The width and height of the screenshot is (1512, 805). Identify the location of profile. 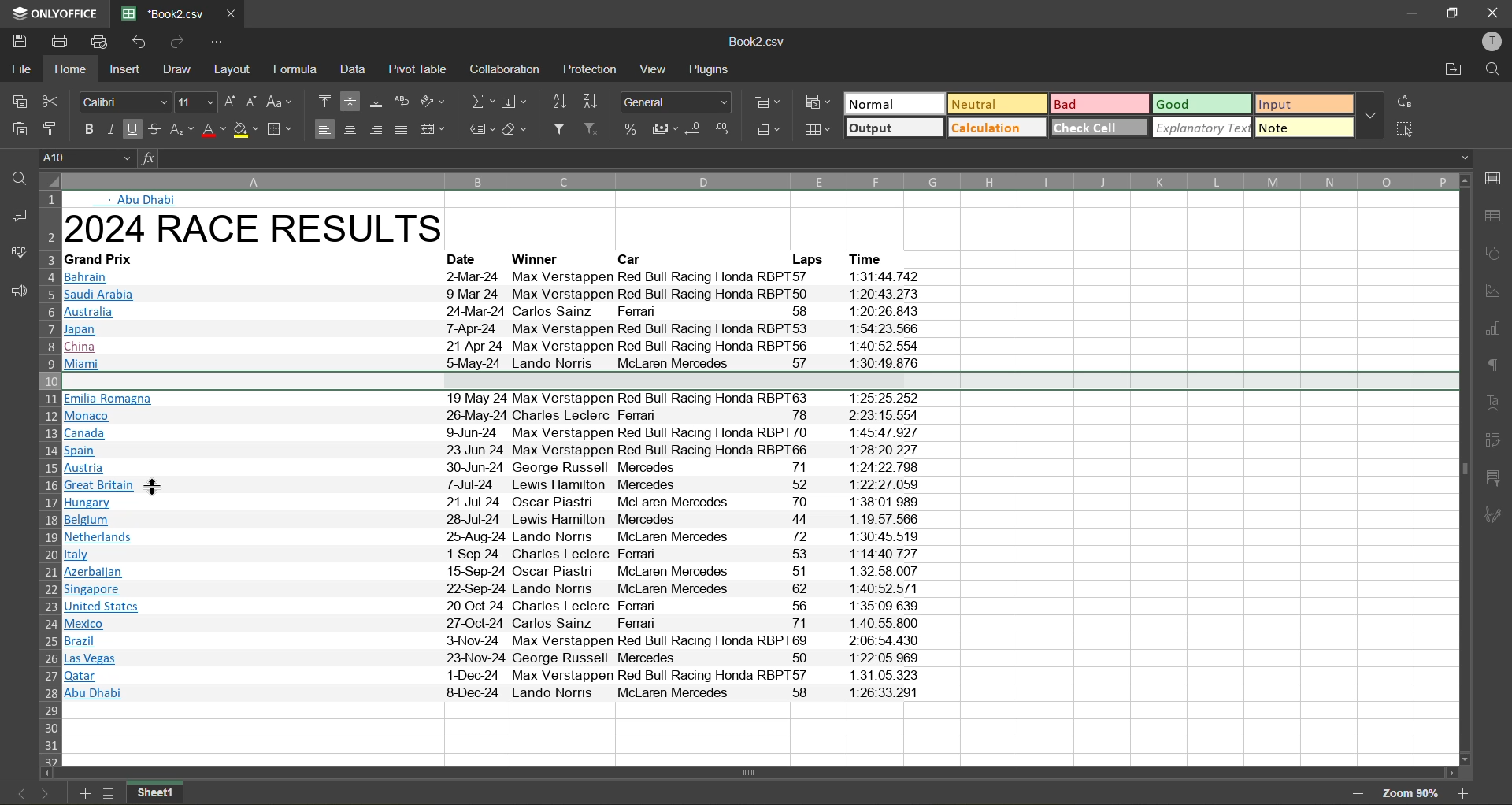
(1493, 42).